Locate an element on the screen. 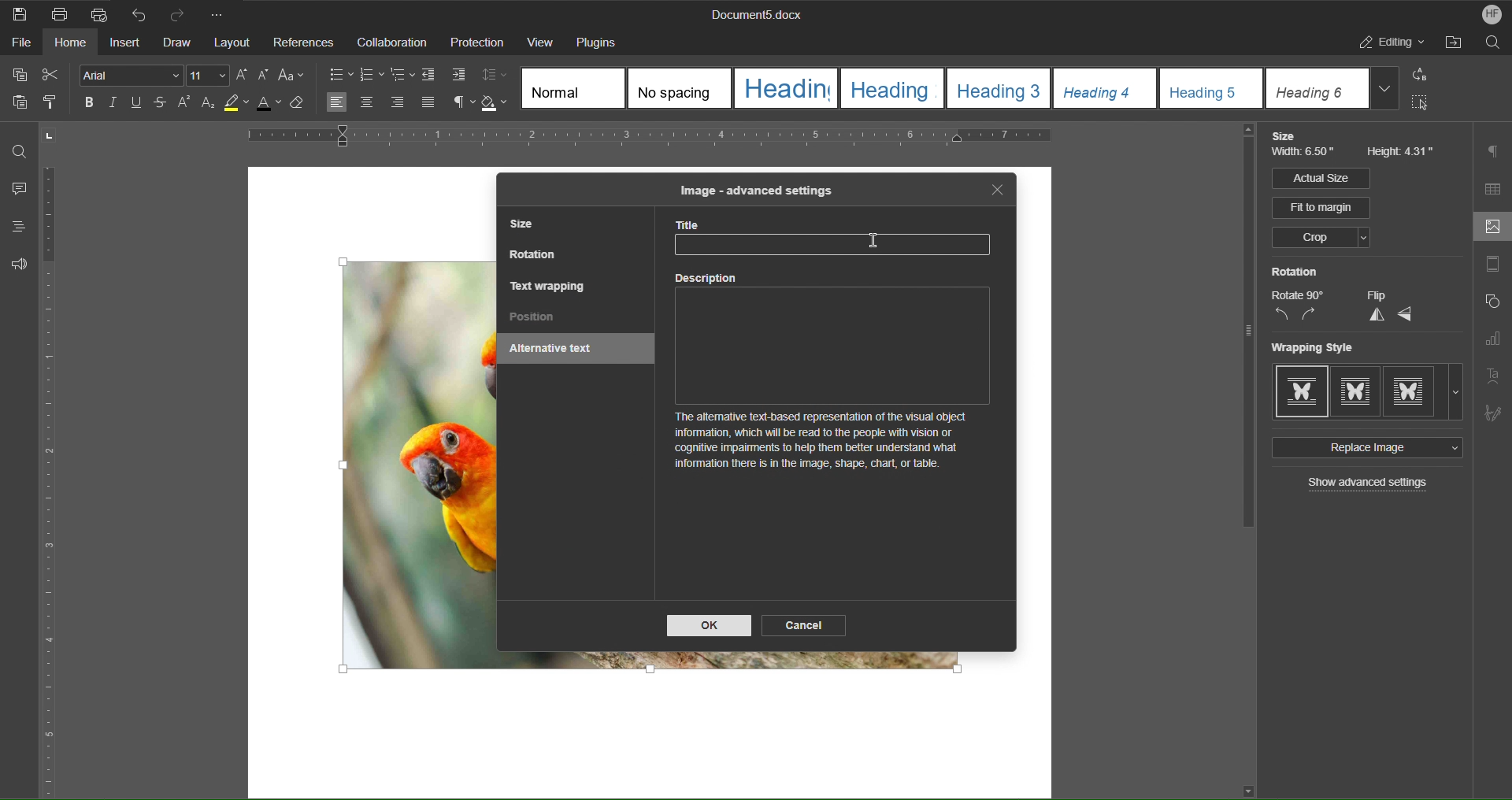 This screenshot has height=800, width=1512. Rotation is located at coordinates (535, 257).